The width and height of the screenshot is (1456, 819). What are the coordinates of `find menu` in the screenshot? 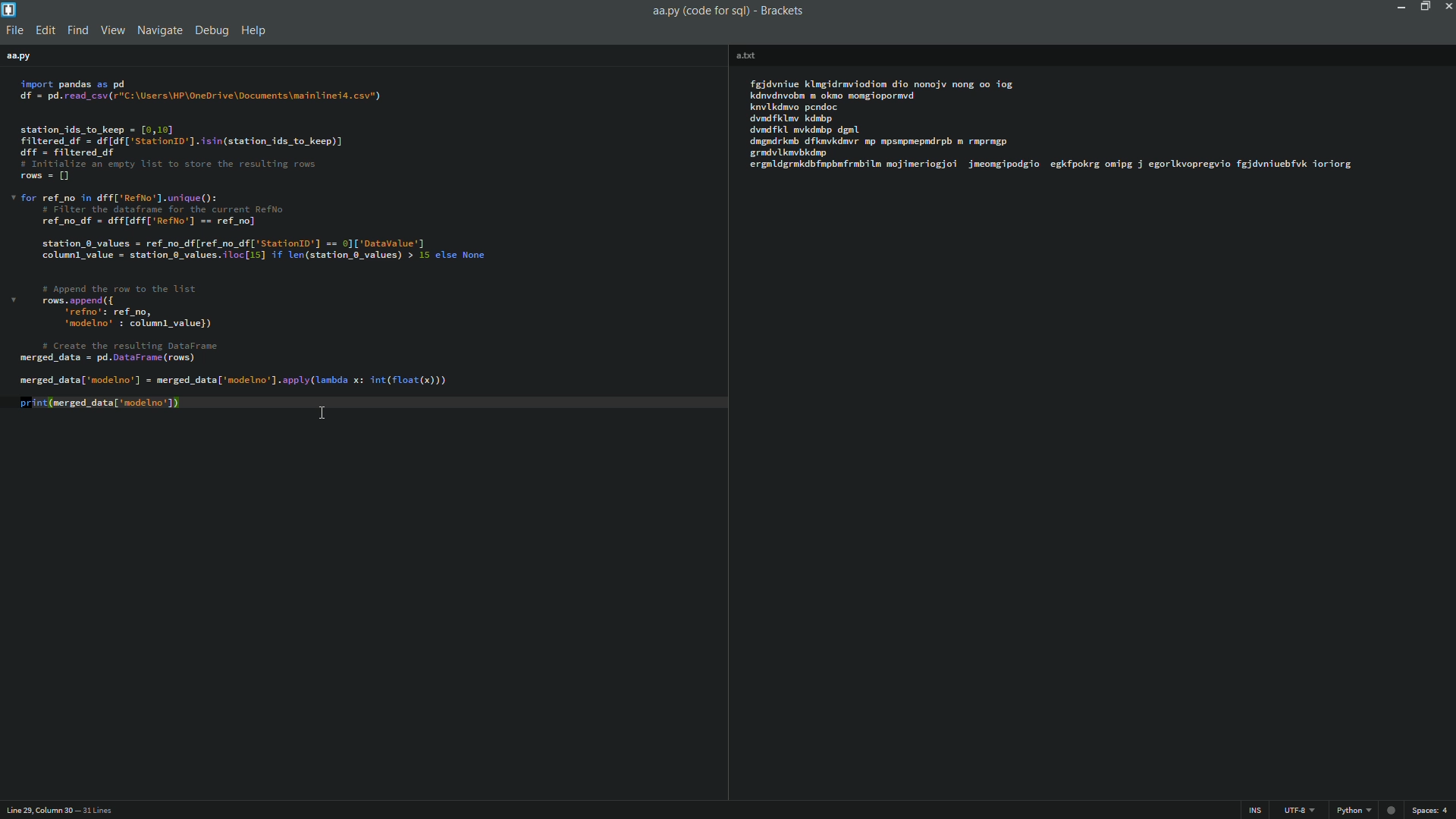 It's located at (79, 32).